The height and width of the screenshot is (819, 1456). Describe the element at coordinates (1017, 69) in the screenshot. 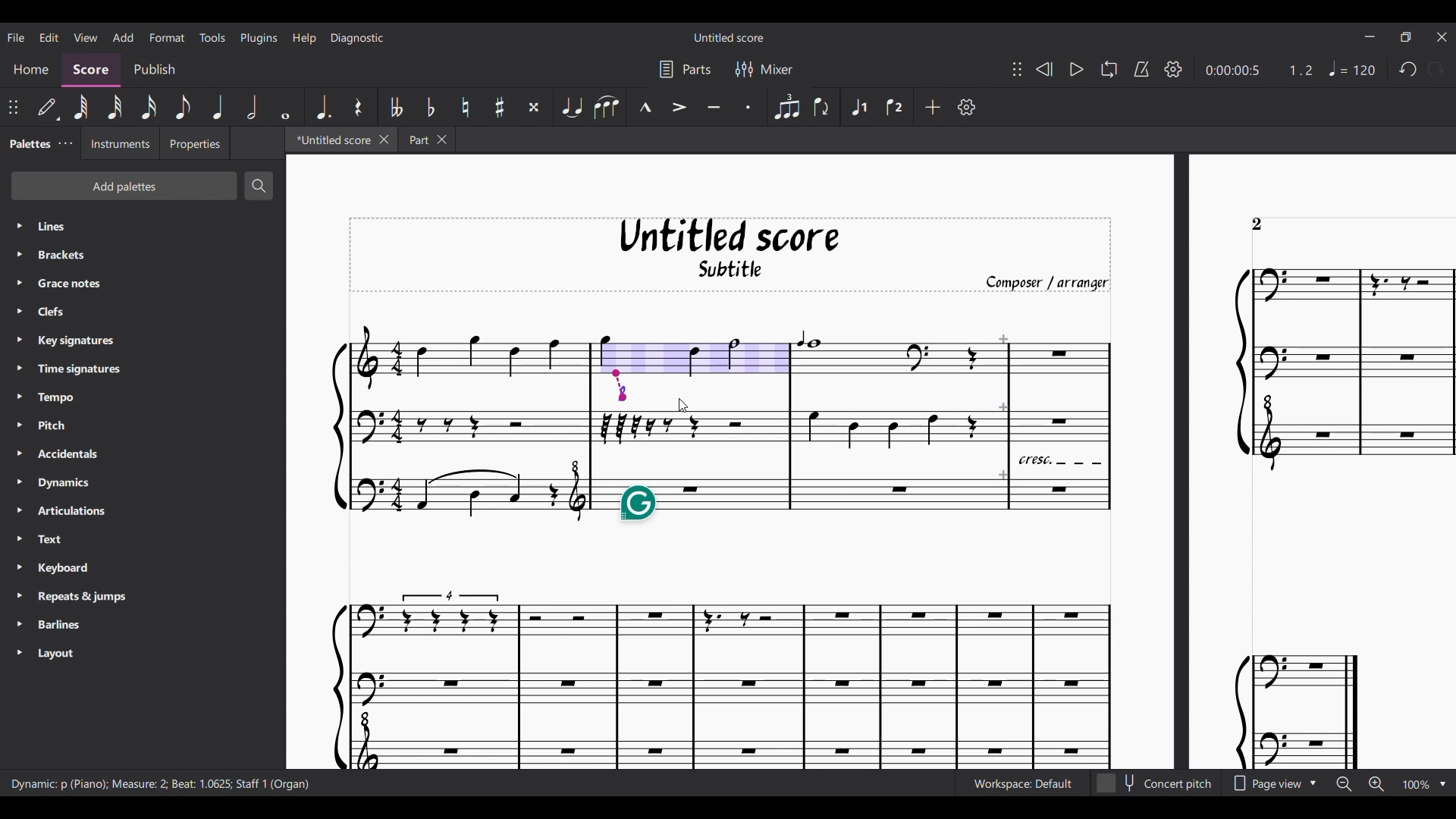

I see `Change position of toolbar` at that location.